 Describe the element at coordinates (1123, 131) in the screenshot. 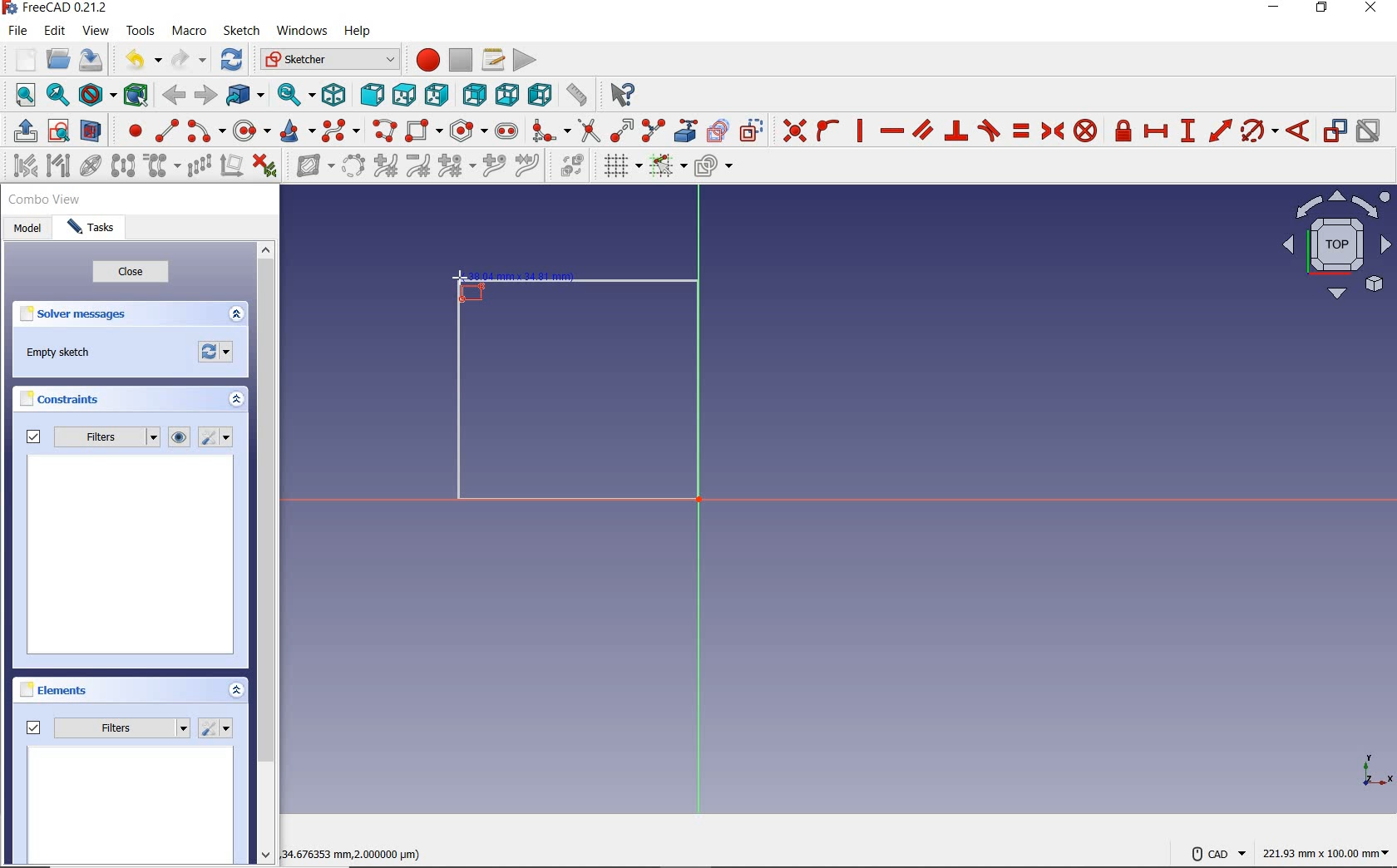

I see `constrain lock` at that location.